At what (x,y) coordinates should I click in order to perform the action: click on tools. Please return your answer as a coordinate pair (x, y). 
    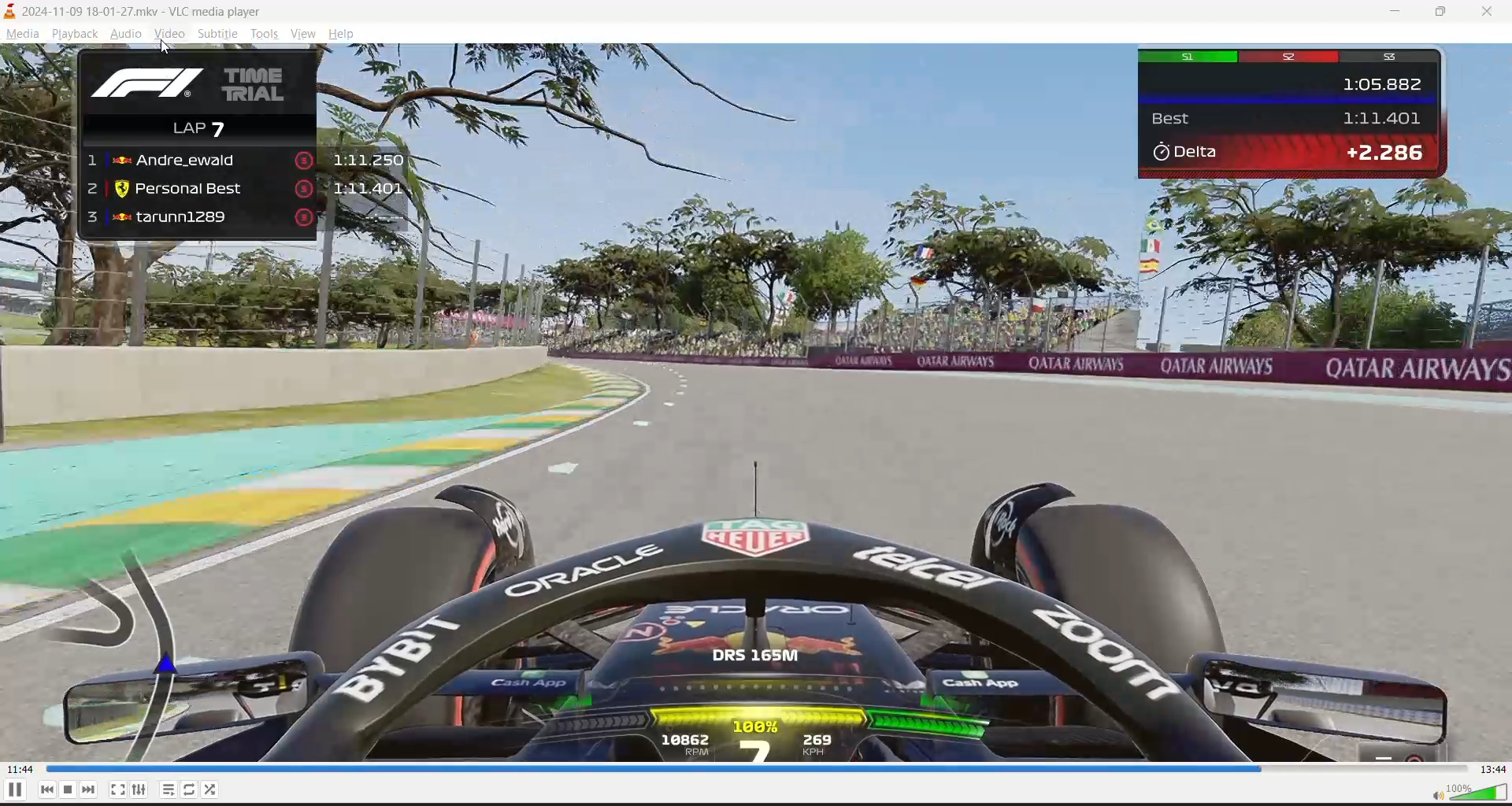
    Looking at the image, I should click on (263, 34).